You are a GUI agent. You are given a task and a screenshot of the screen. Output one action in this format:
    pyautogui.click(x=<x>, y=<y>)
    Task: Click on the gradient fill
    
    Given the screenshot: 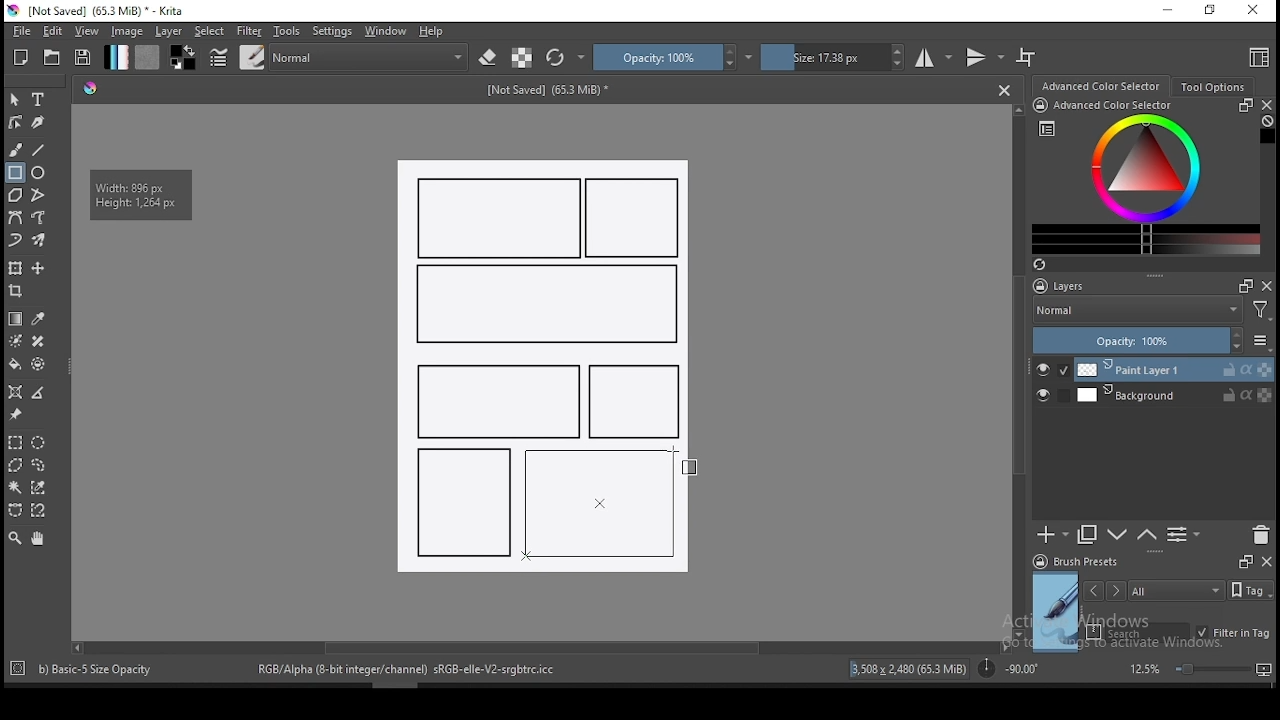 What is the action you would take?
    pyautogui.click(x=116, y=57)
    